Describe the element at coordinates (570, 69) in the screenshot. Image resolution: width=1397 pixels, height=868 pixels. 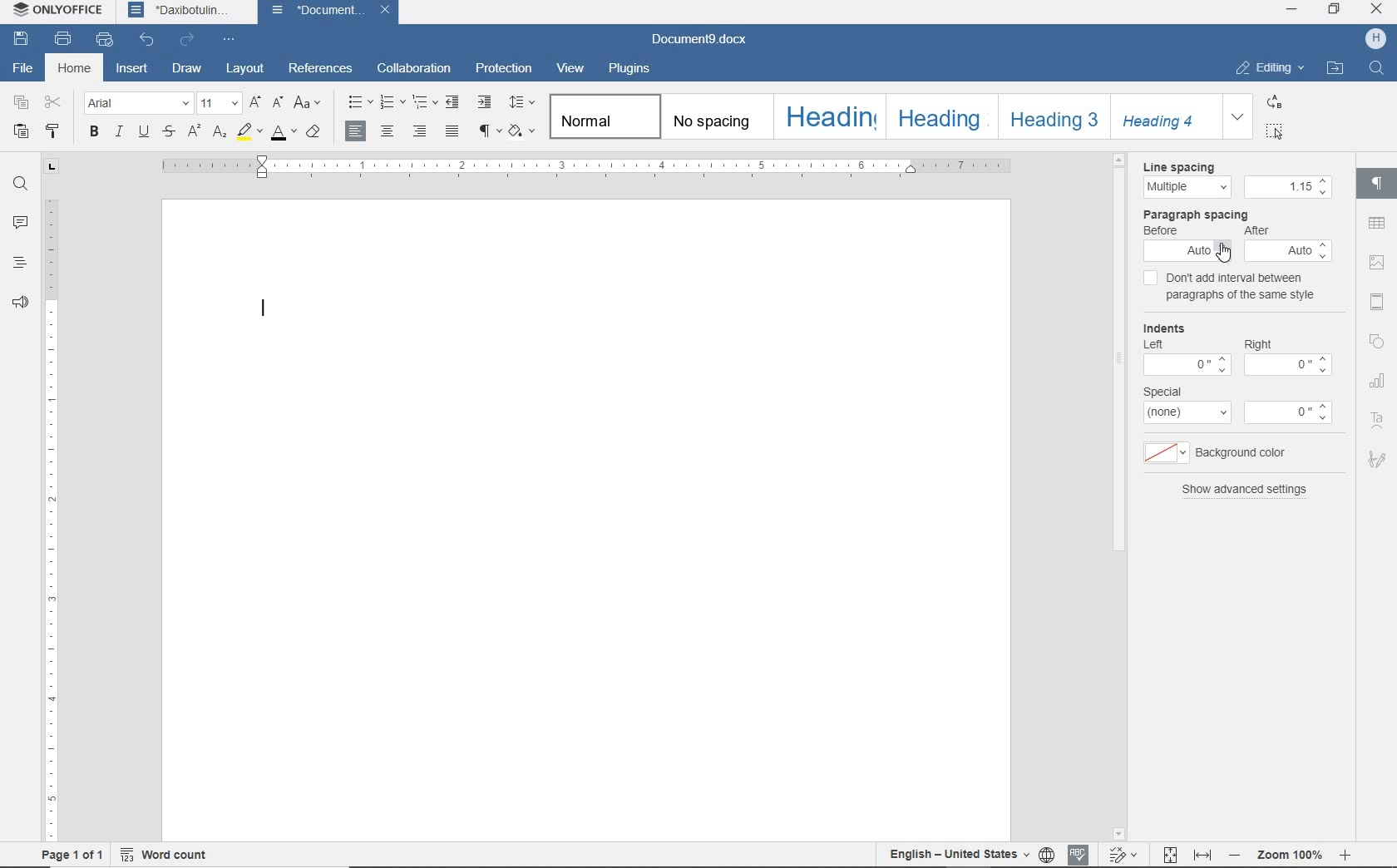
I see `view` at that location.